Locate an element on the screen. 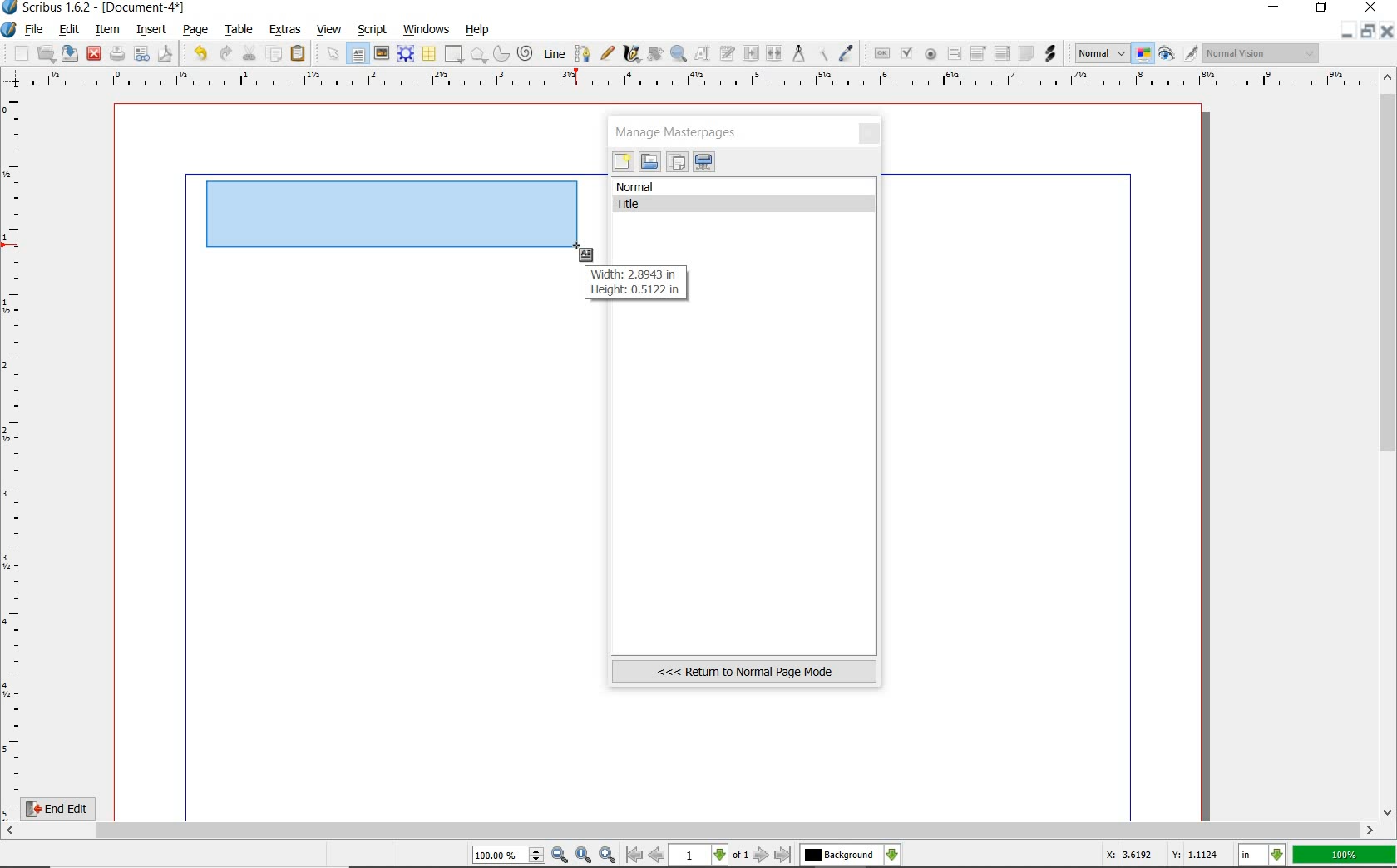  text frame is located at coordinates (359, 54).